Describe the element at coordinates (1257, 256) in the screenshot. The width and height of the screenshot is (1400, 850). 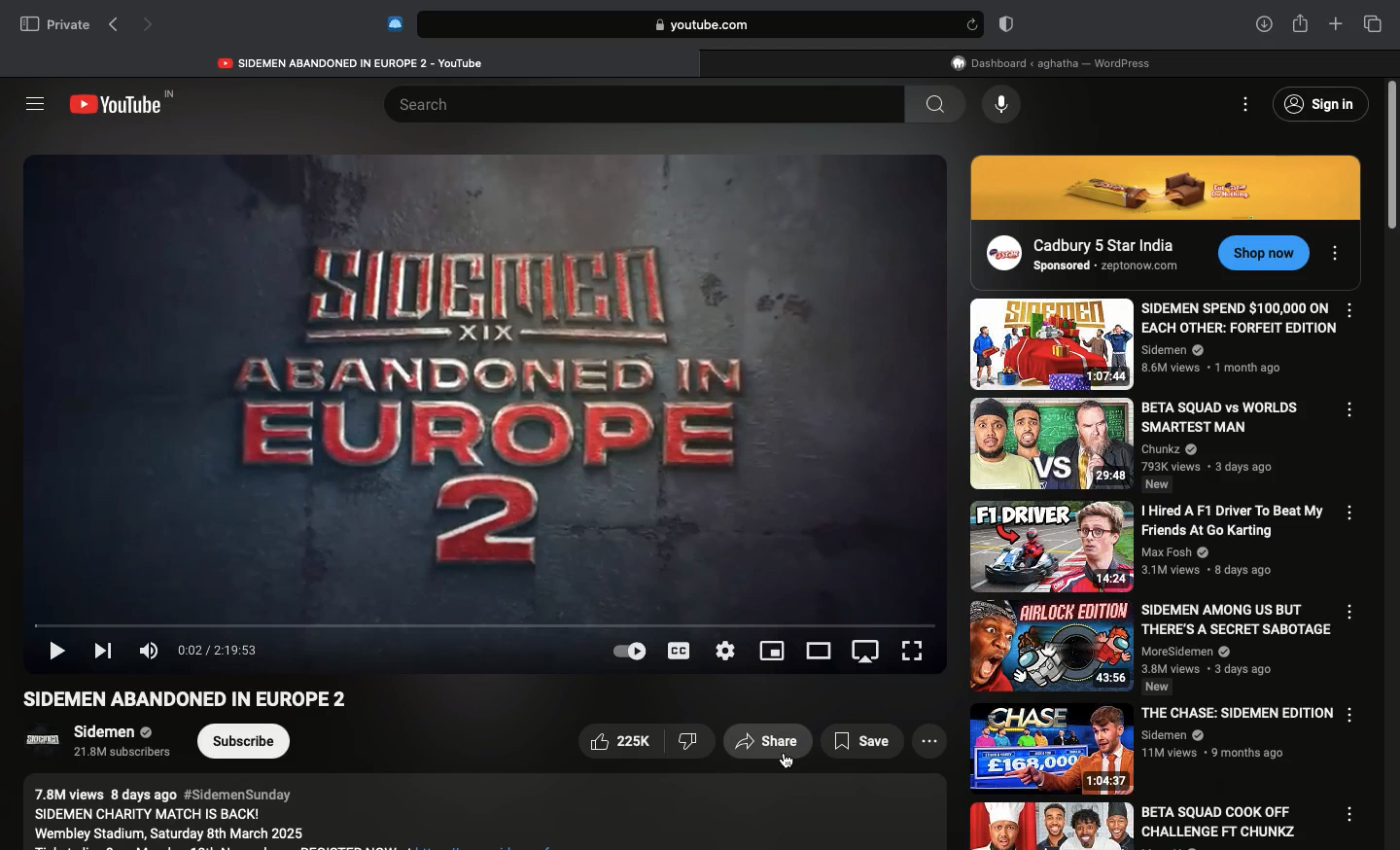
I see `CTA` at that location.